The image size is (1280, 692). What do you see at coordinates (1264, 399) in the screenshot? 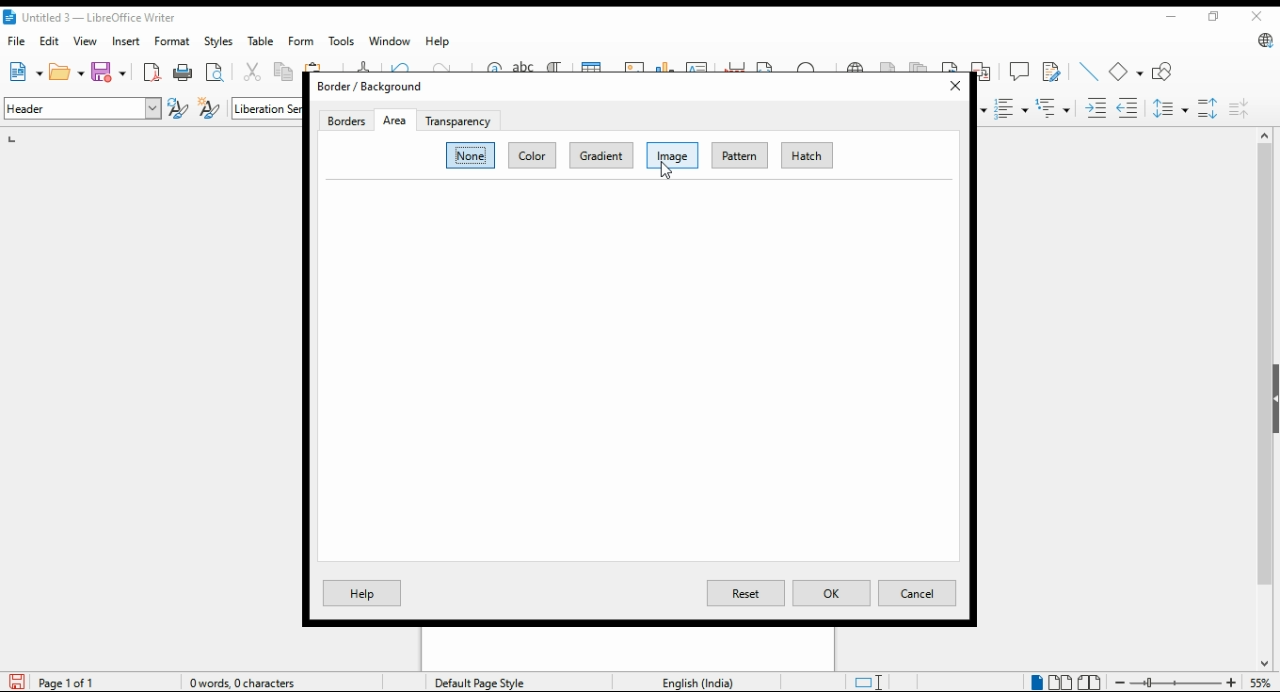
I see `scroll bar` at bounding box center [1264, 399].